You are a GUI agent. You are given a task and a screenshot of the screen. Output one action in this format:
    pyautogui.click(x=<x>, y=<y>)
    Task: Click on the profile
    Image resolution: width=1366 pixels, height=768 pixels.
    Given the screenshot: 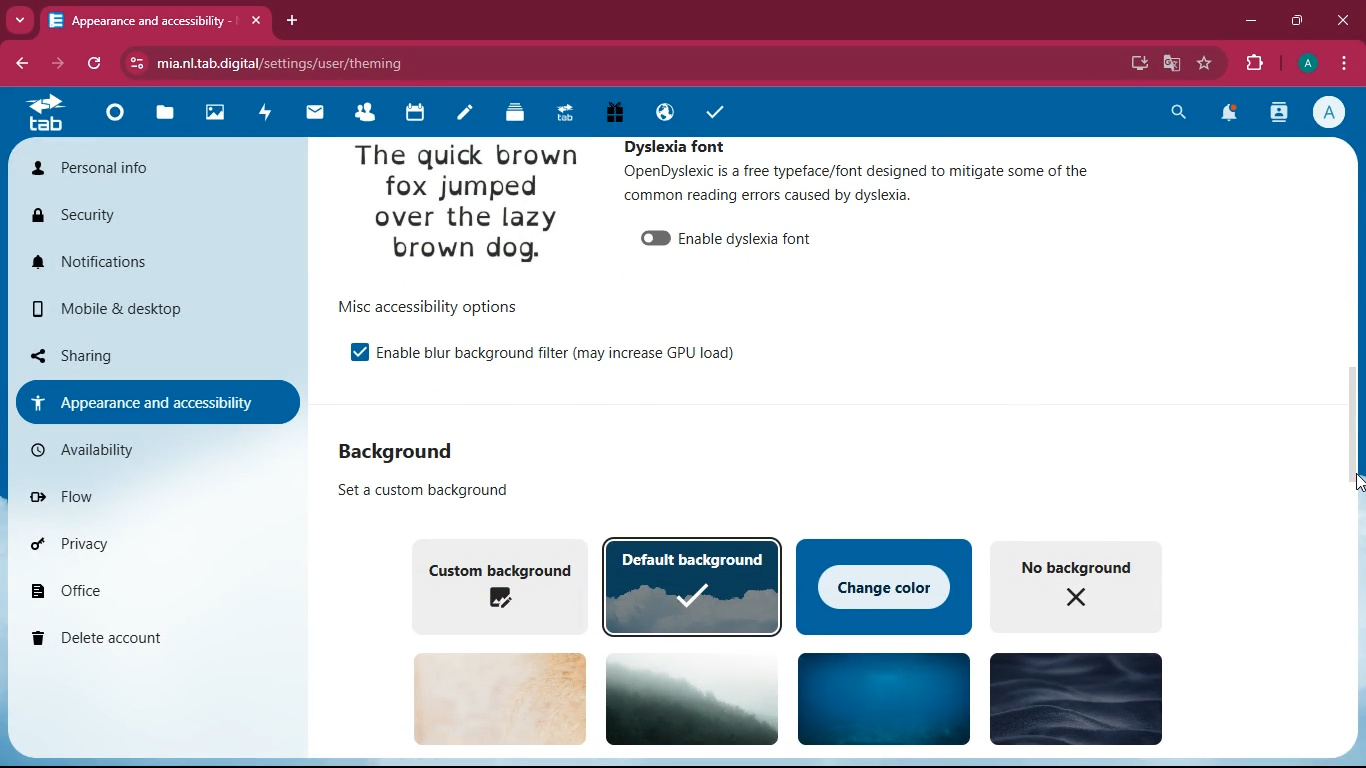 What is the action you would take?
    pyautogui.click(x=1307, y=63)
    